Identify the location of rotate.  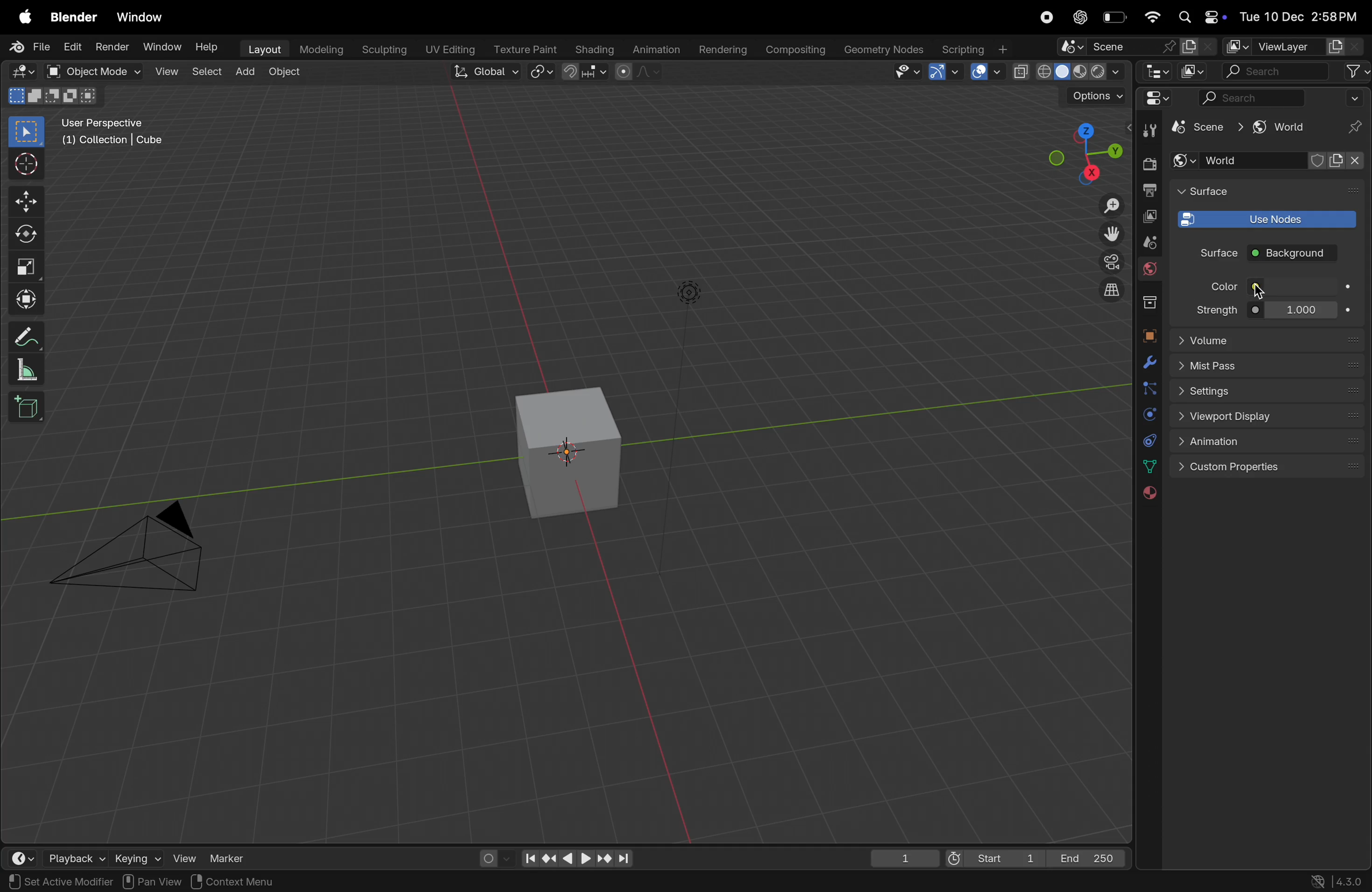
(29, 233).